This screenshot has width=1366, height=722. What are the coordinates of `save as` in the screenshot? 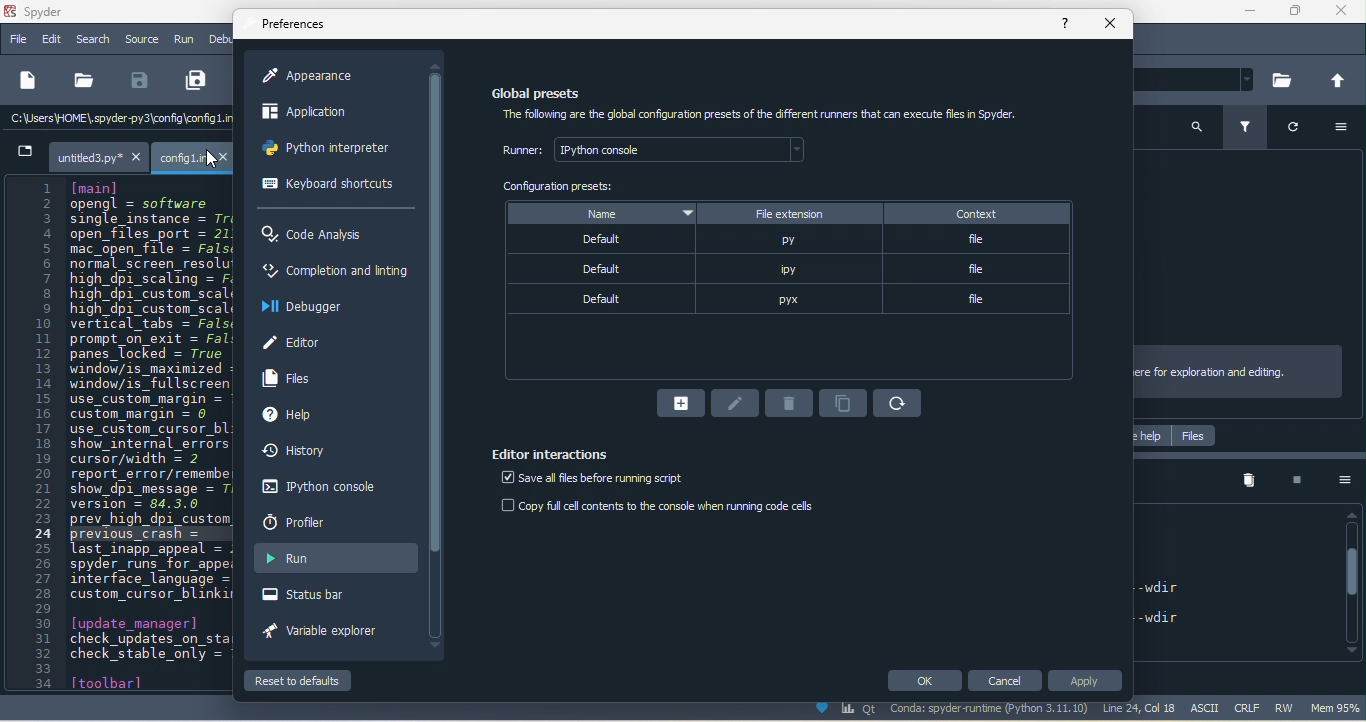 It's located at (195, 80).